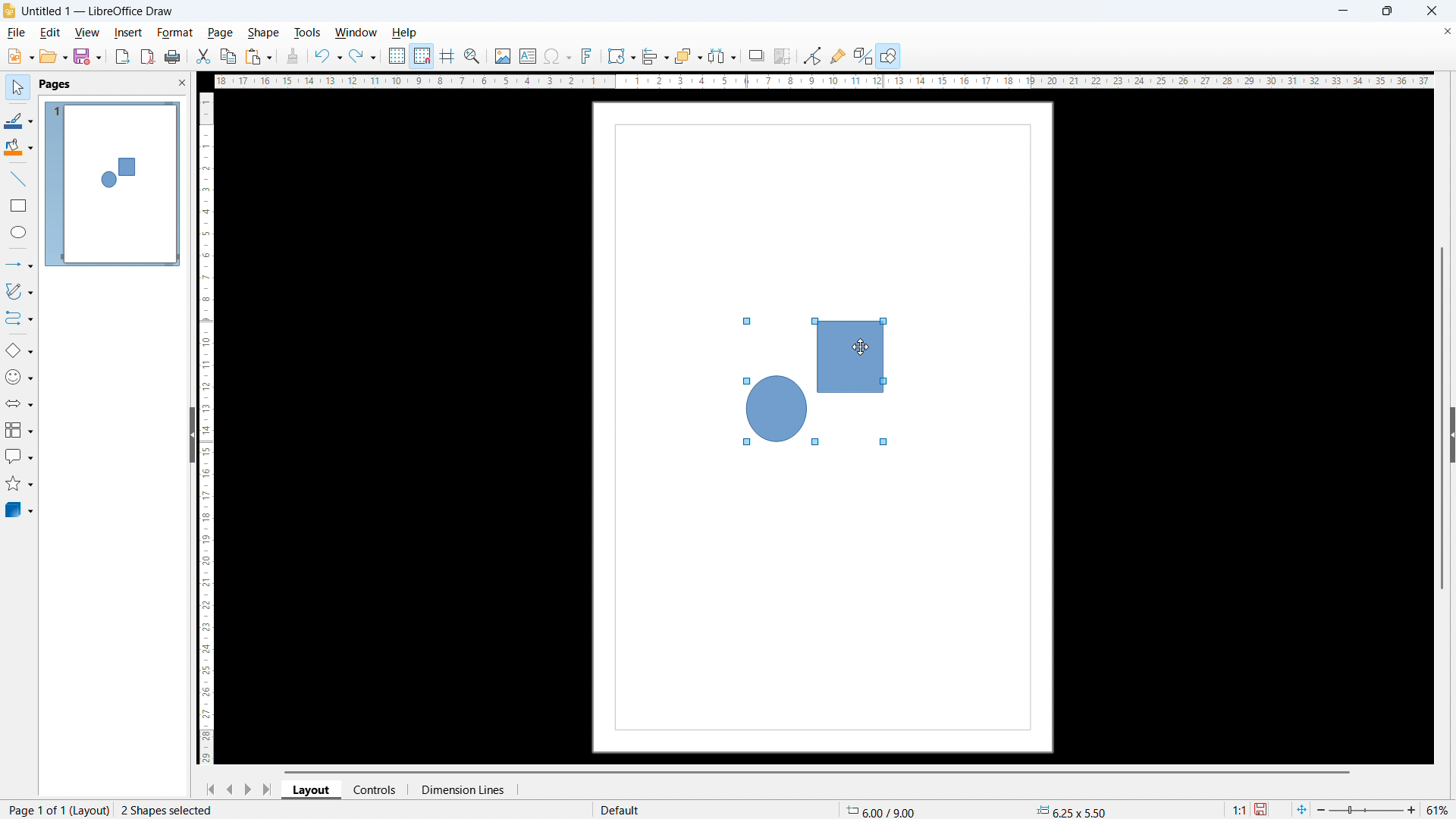  I want to click on page display, so click(115, 184).